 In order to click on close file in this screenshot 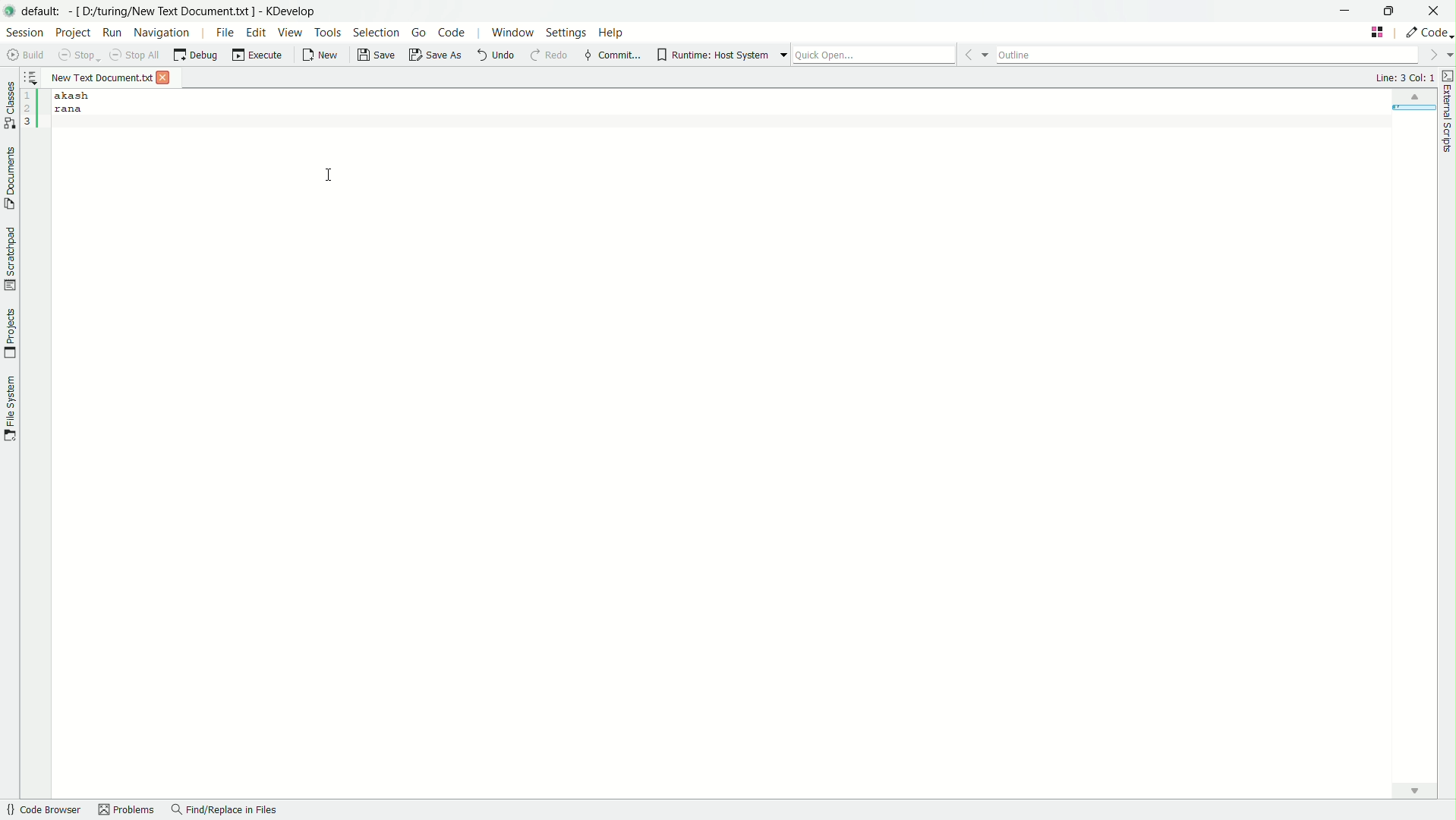, I will do `click(164, 78)`.